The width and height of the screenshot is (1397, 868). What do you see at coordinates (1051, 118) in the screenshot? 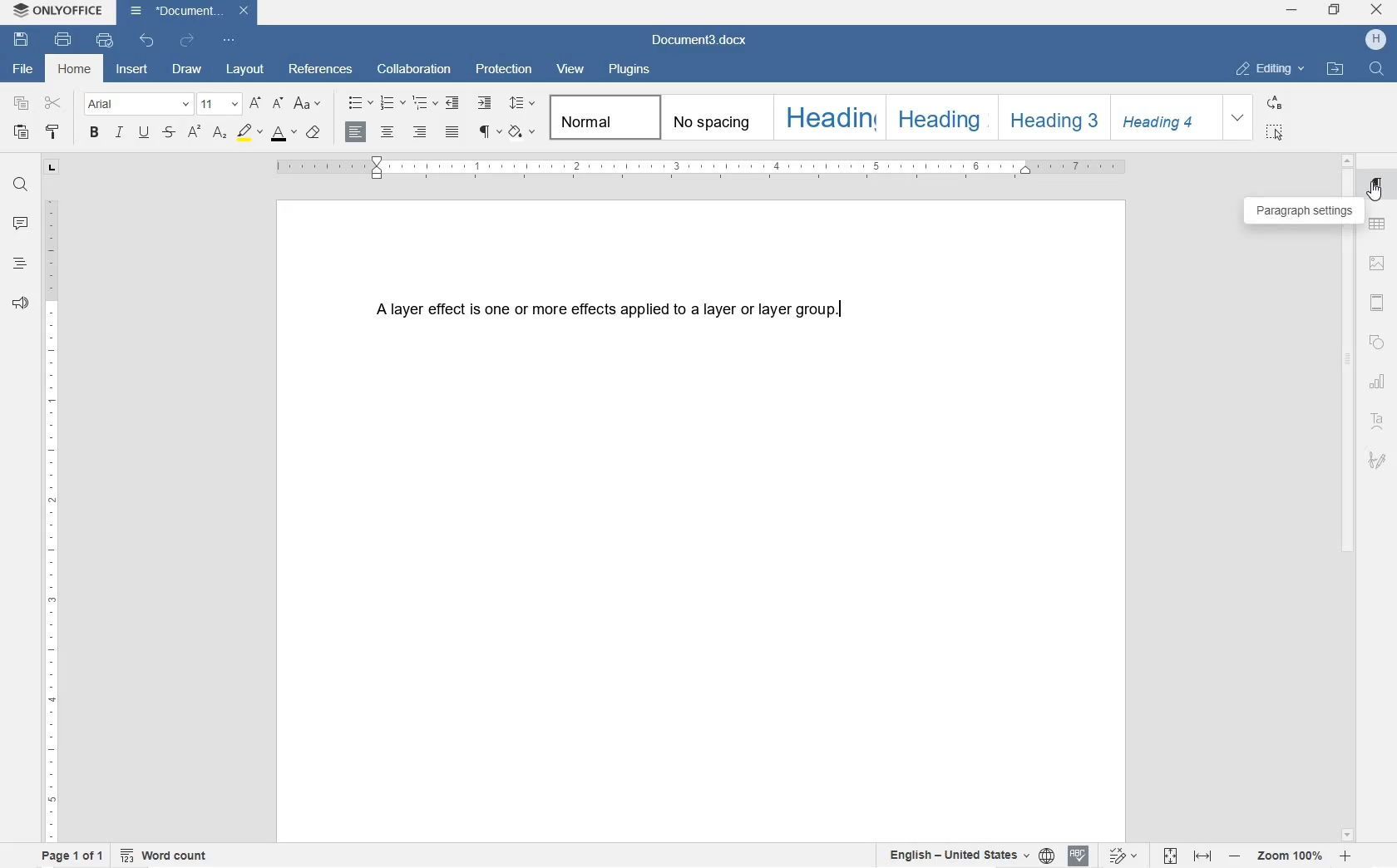
I see `HEADING 3` at bounding box center [1051, 118].